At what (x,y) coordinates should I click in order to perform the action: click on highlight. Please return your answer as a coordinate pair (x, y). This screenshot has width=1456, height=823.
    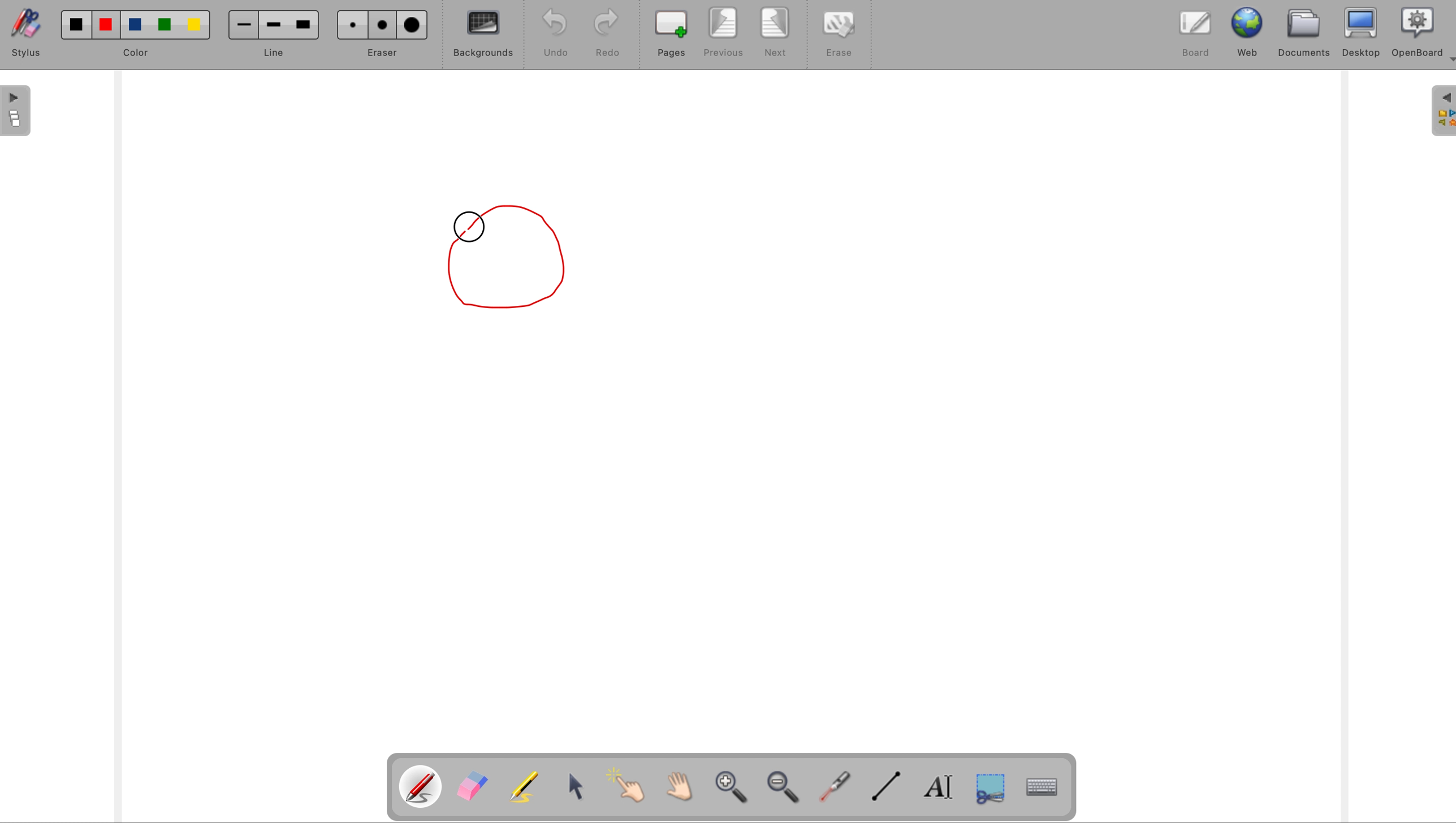
    Looking at the image, I should click on (526, 785).